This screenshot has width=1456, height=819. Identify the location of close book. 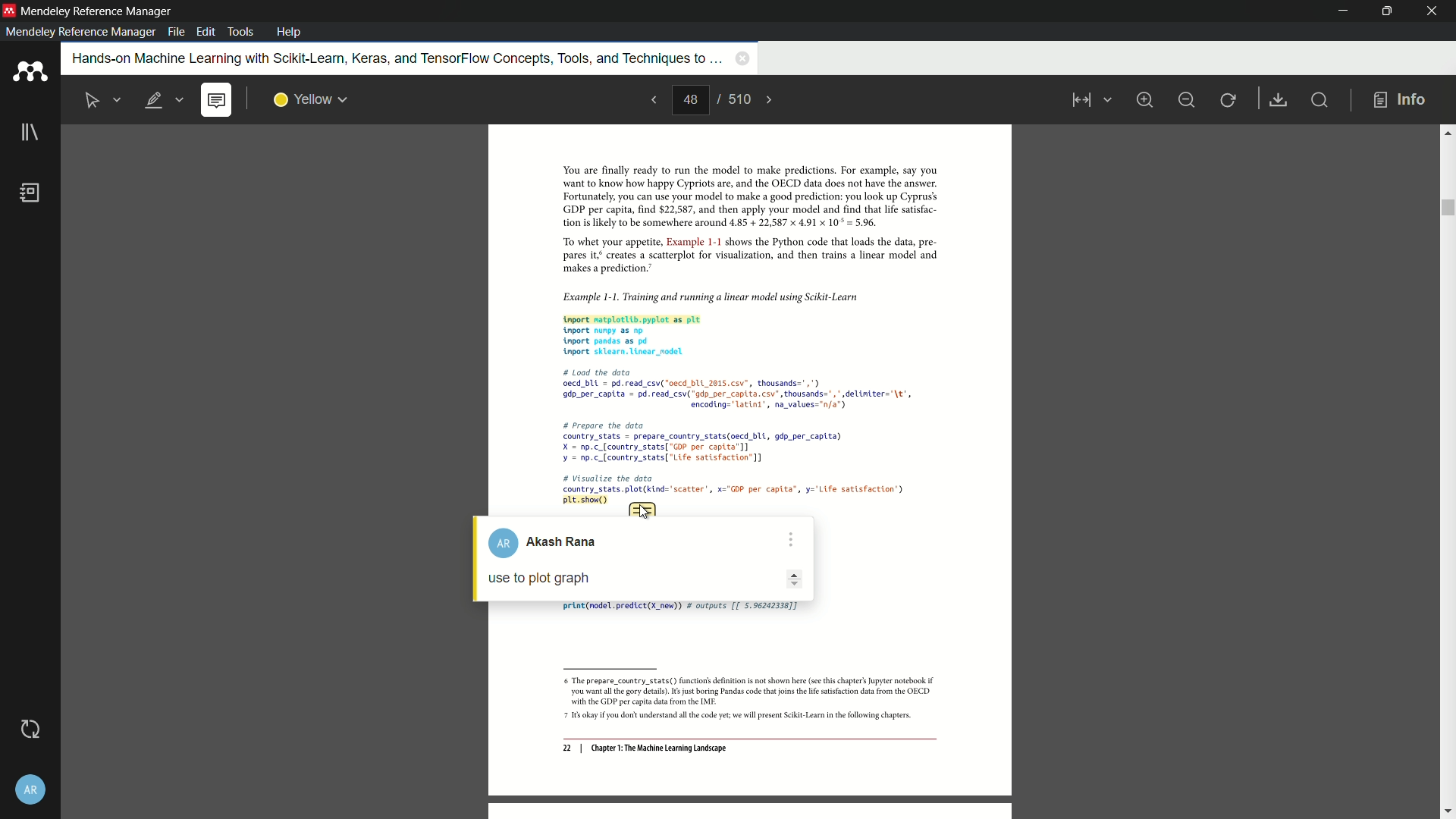
(742, 58).